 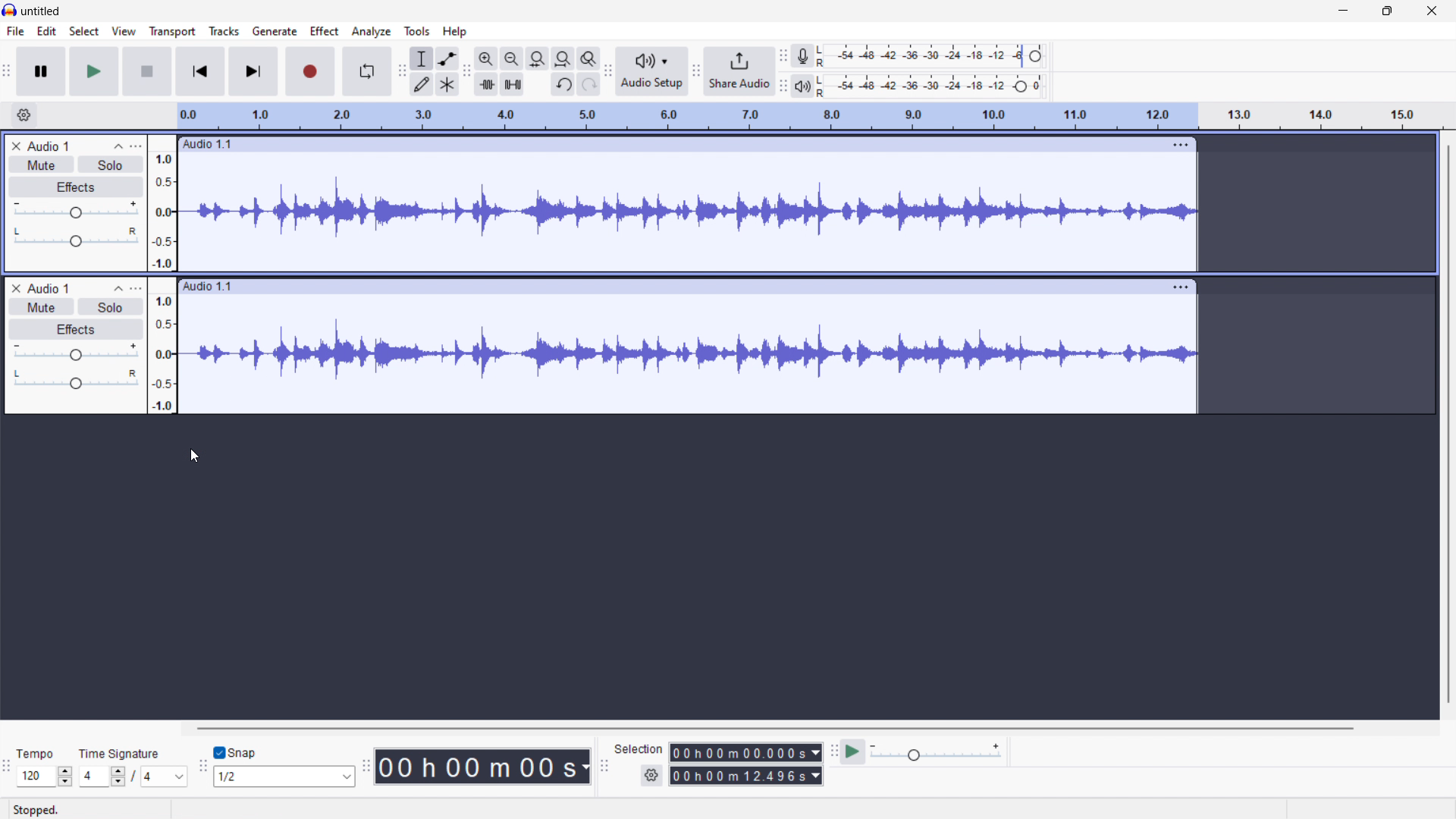 What do you see at coordinates (269, 777) in the screenshot?
I see `1/2` at bounding box center [269, 777].